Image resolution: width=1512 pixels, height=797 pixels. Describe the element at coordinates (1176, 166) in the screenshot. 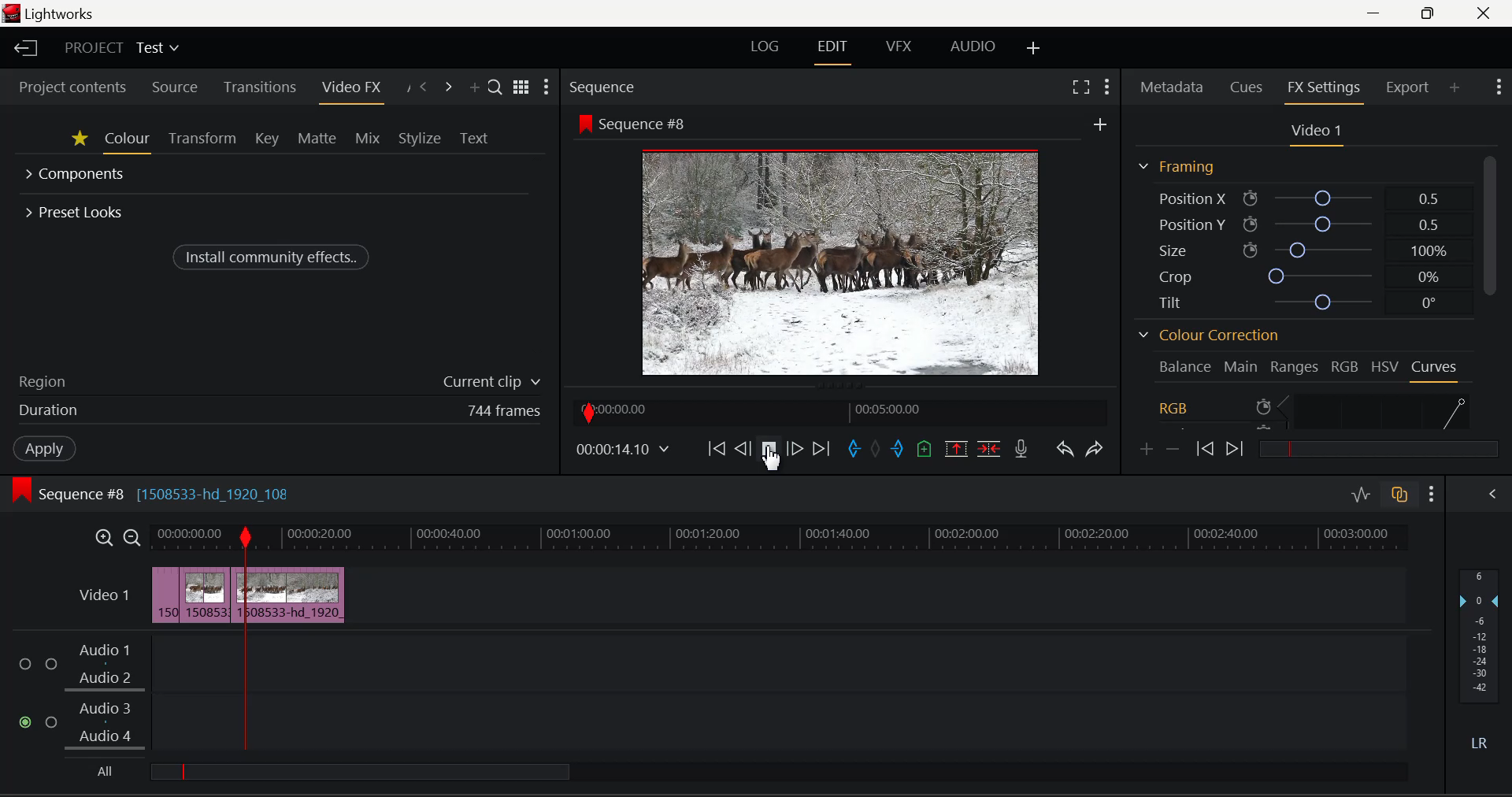

I see `Framing Section` at that location.